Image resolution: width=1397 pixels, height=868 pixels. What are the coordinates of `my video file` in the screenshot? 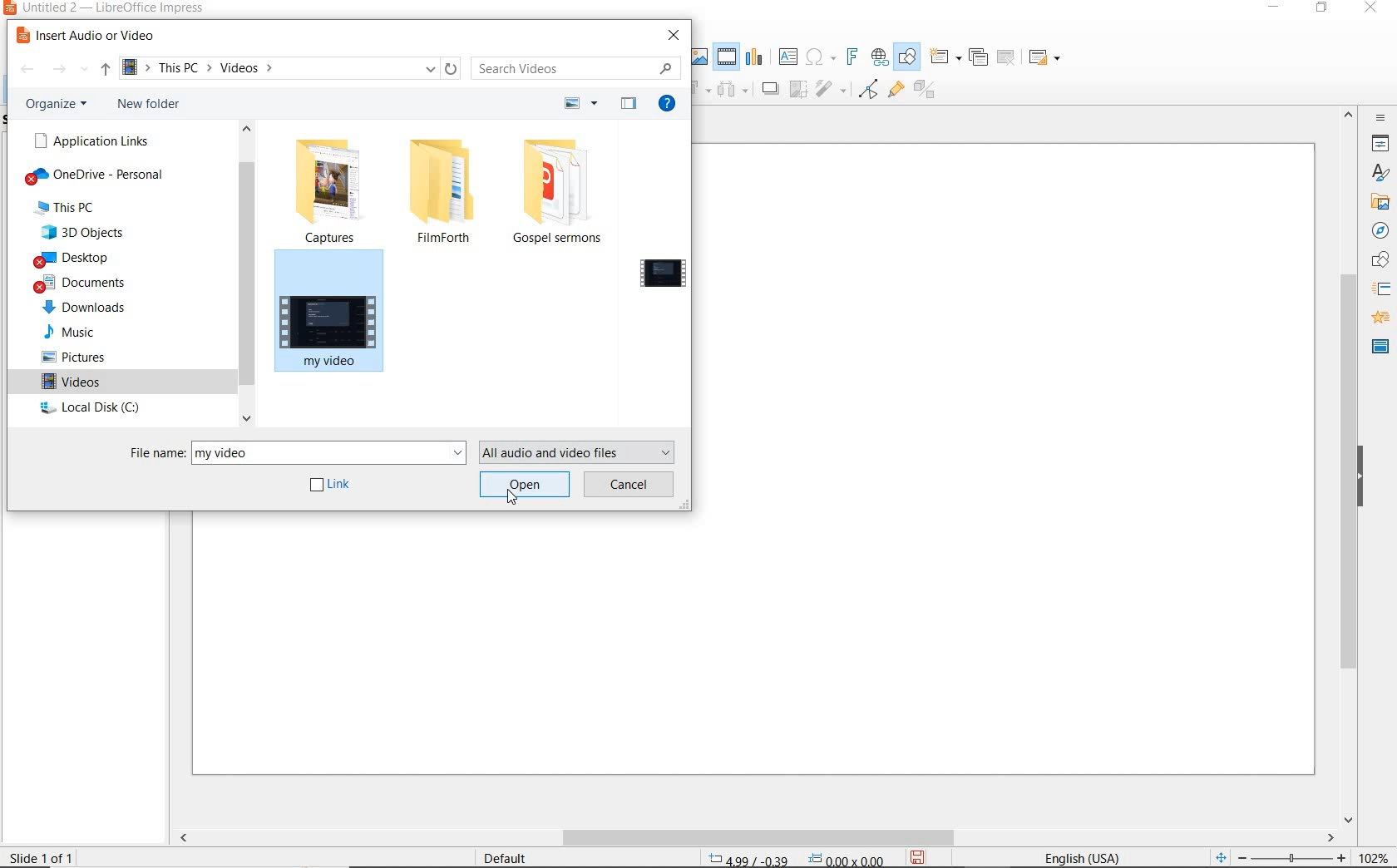 It's located at (338, 321).